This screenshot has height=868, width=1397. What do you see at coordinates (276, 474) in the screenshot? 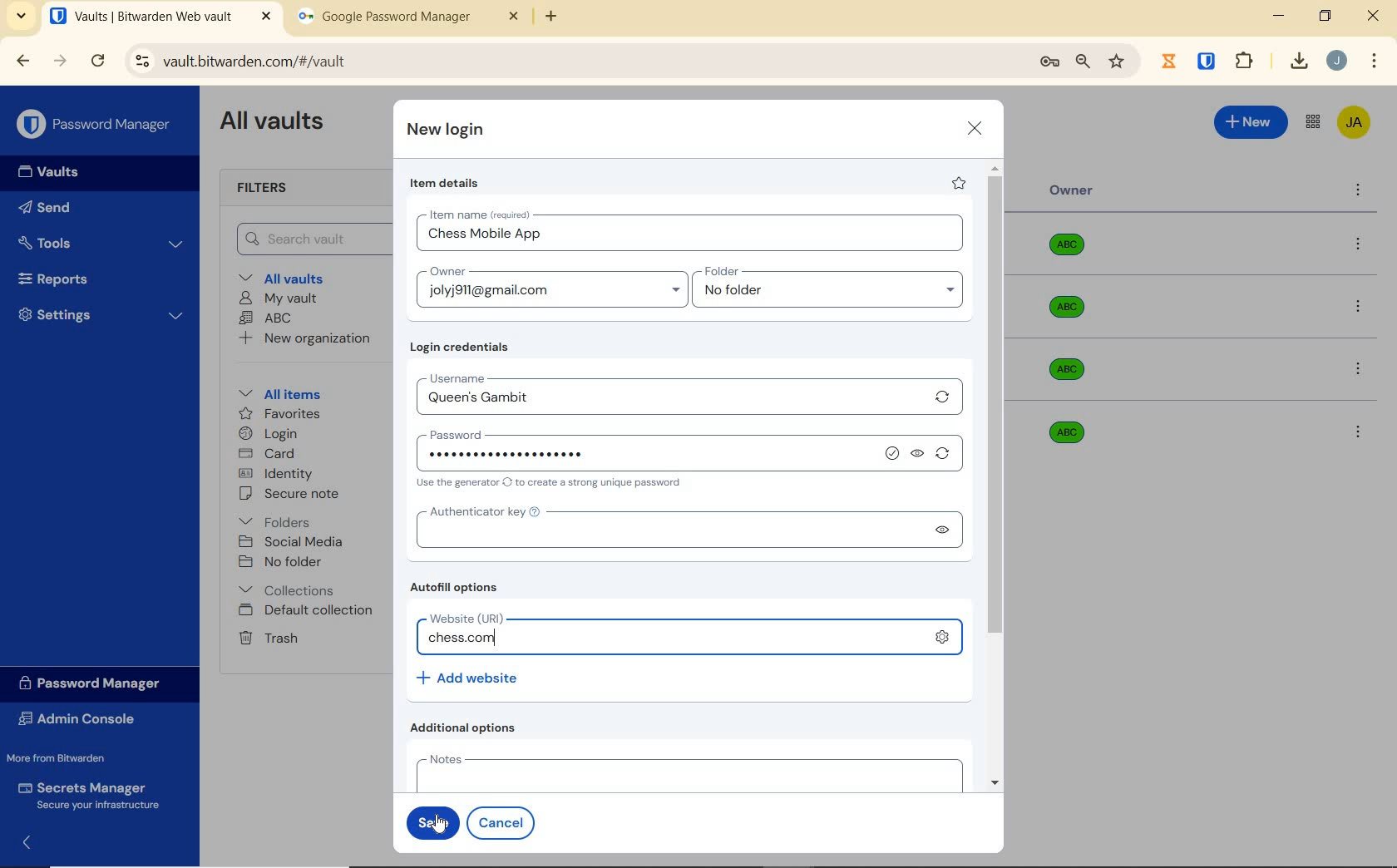
I see `identity` at bounding box center [276, 474].